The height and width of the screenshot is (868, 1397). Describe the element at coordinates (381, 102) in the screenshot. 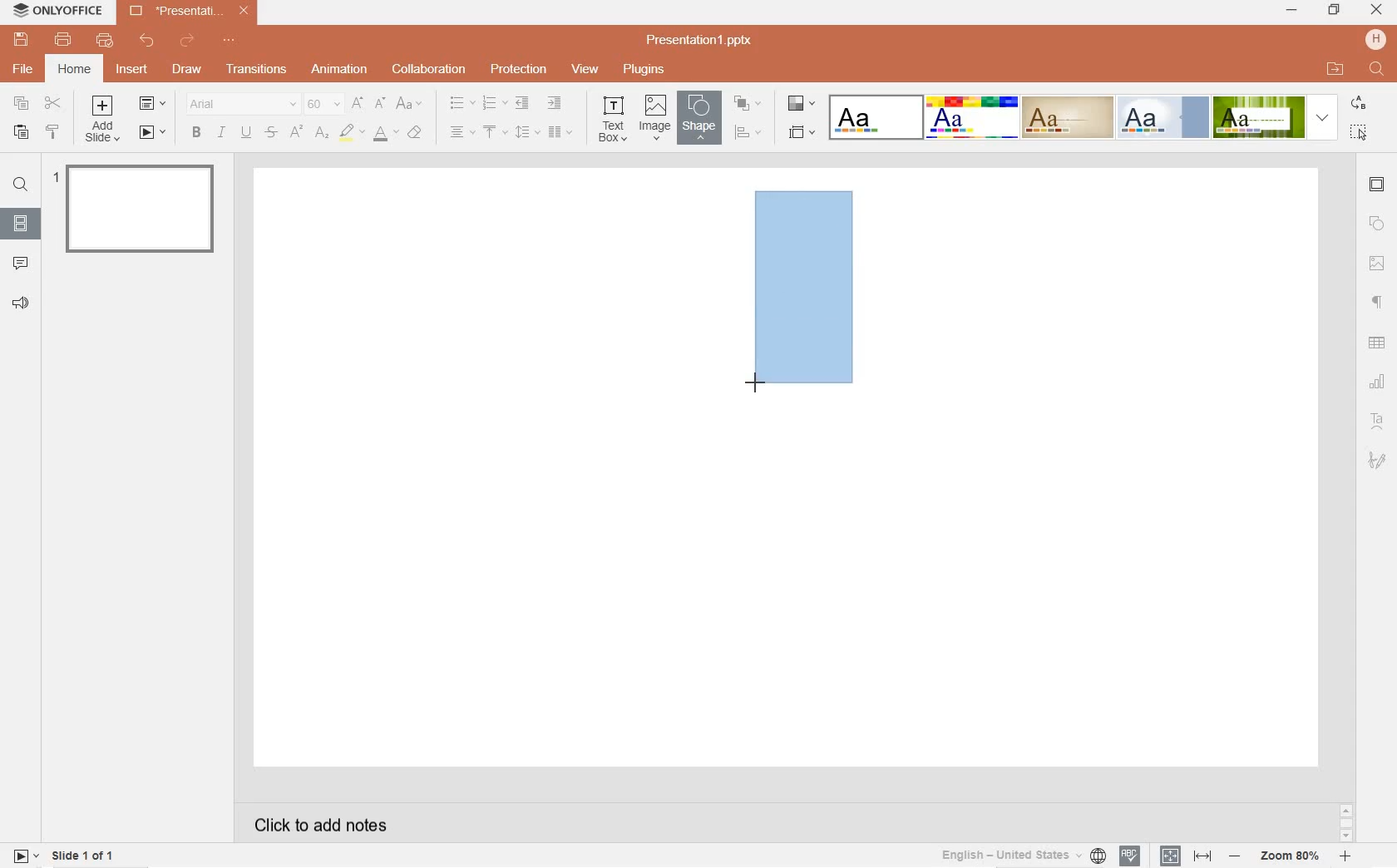

I see `decrement font size` at that location.